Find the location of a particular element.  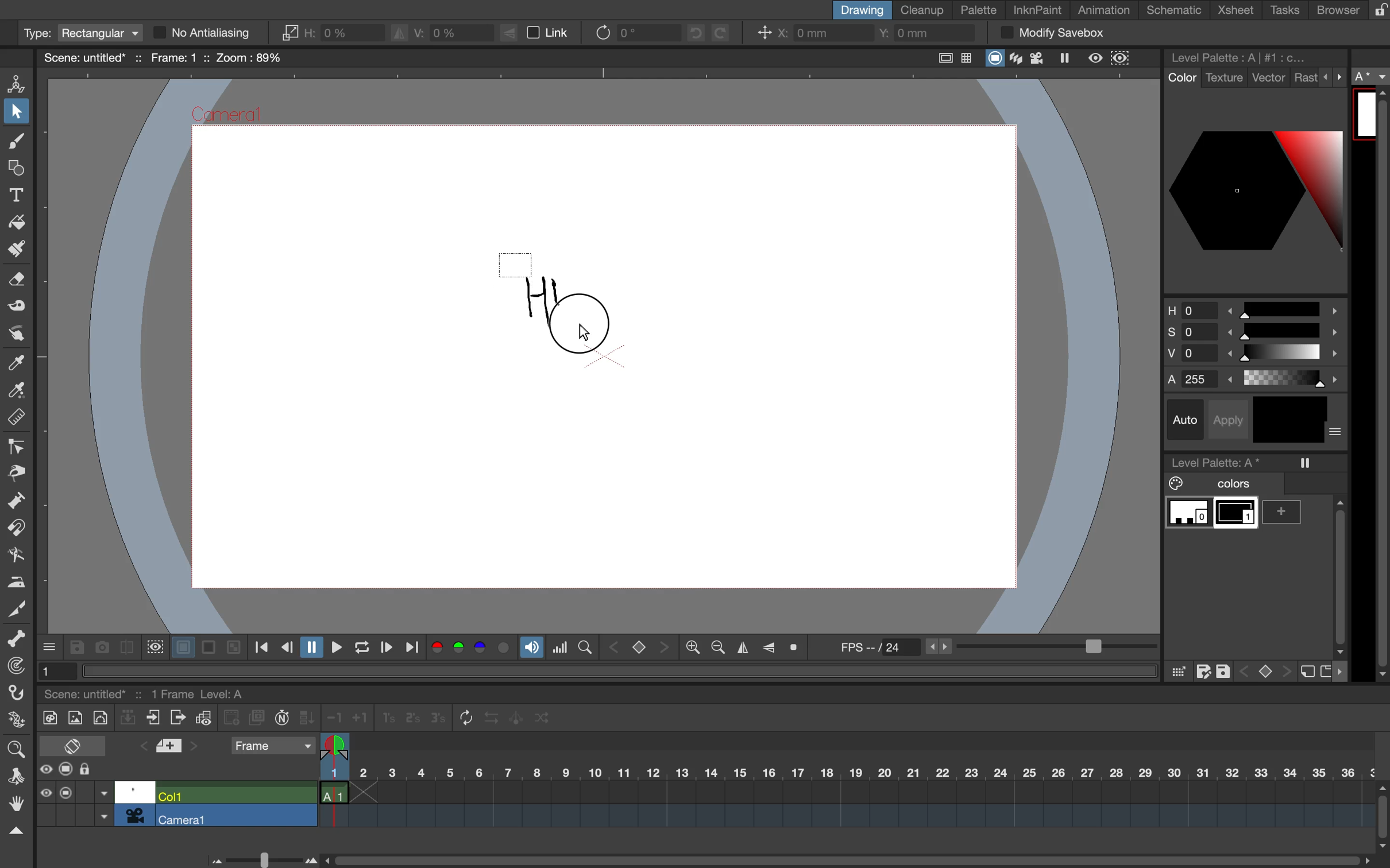

first frame is located at coordinates (262, 648).